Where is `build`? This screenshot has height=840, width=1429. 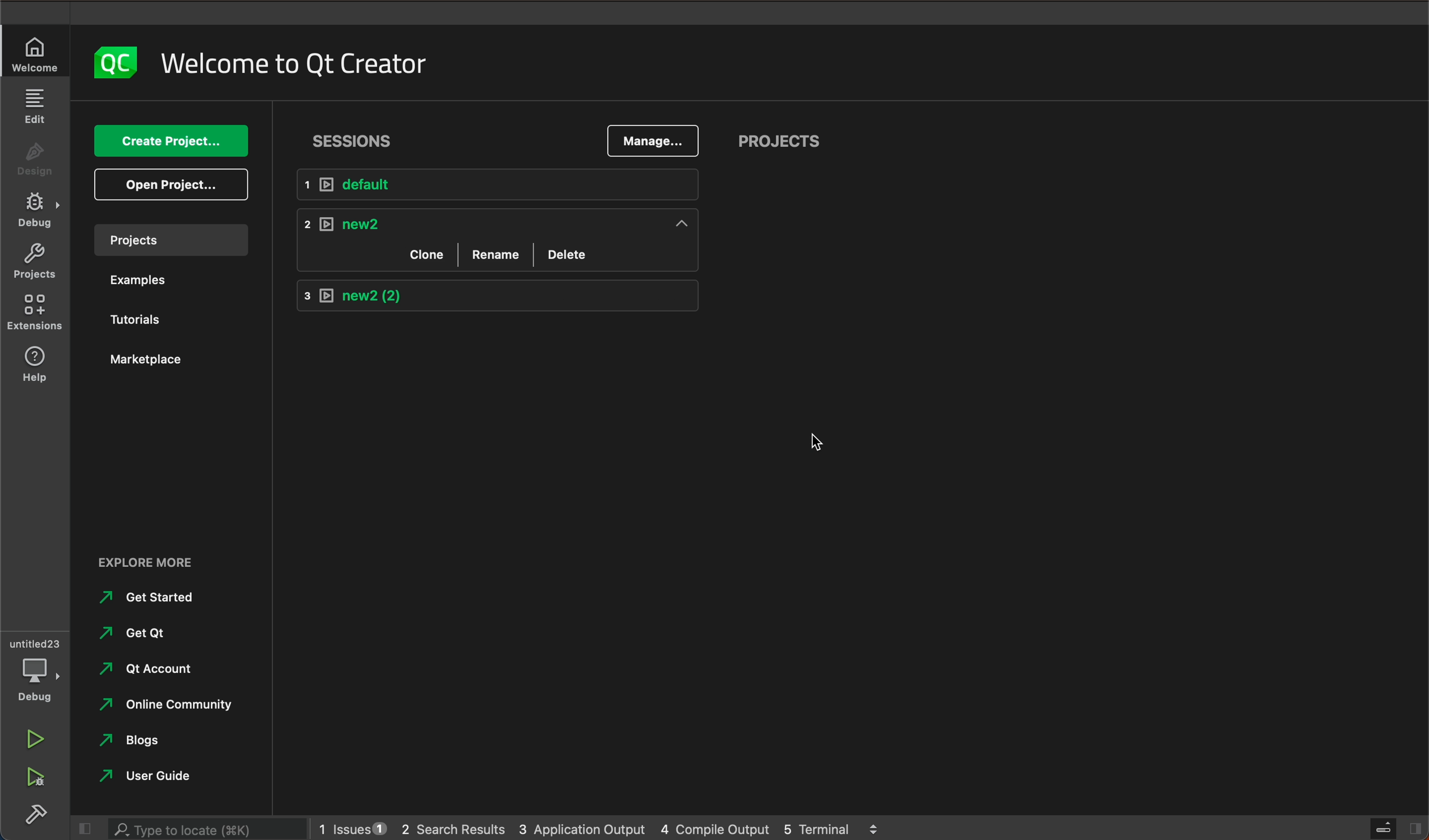 build is located at coordinates (33, 813).